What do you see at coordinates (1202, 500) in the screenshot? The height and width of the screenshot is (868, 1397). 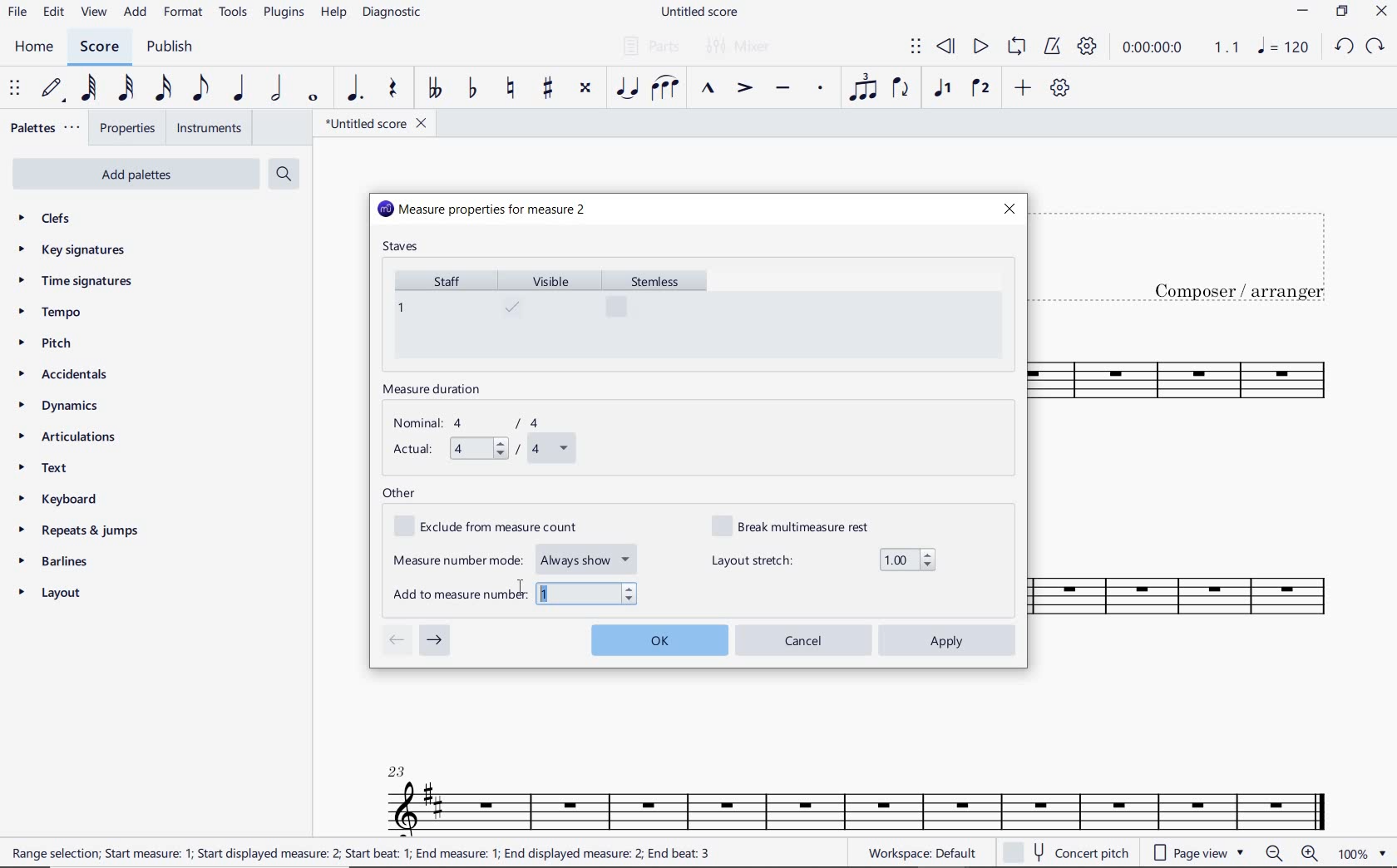 I see `INSTRUMENT: TENOR SAXOPHONE` at bounding box center [1202, 500].